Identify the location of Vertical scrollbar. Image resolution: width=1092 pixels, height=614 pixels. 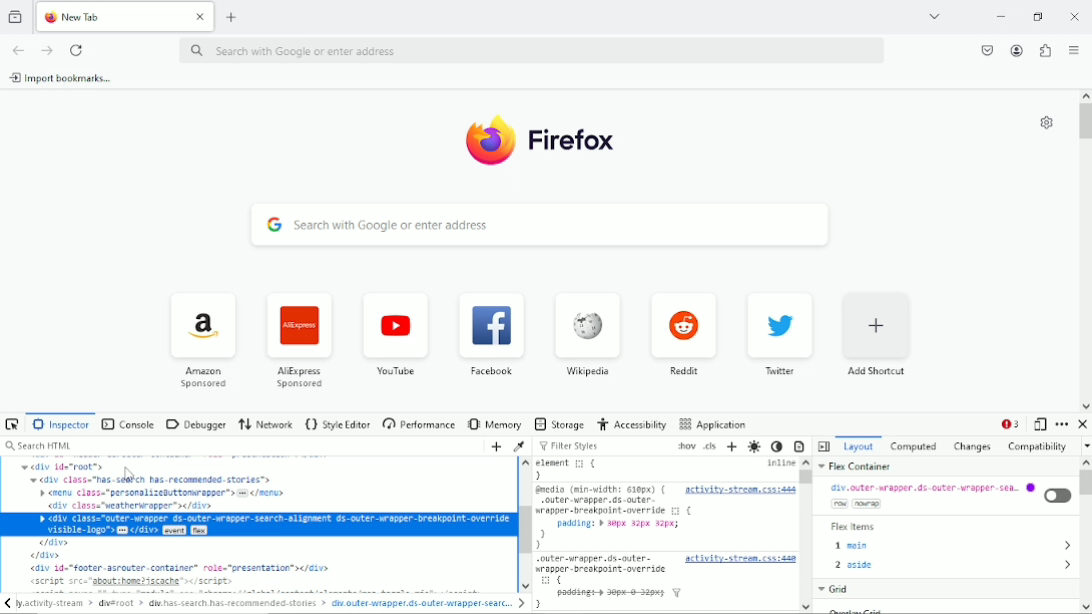
(1085, 484).